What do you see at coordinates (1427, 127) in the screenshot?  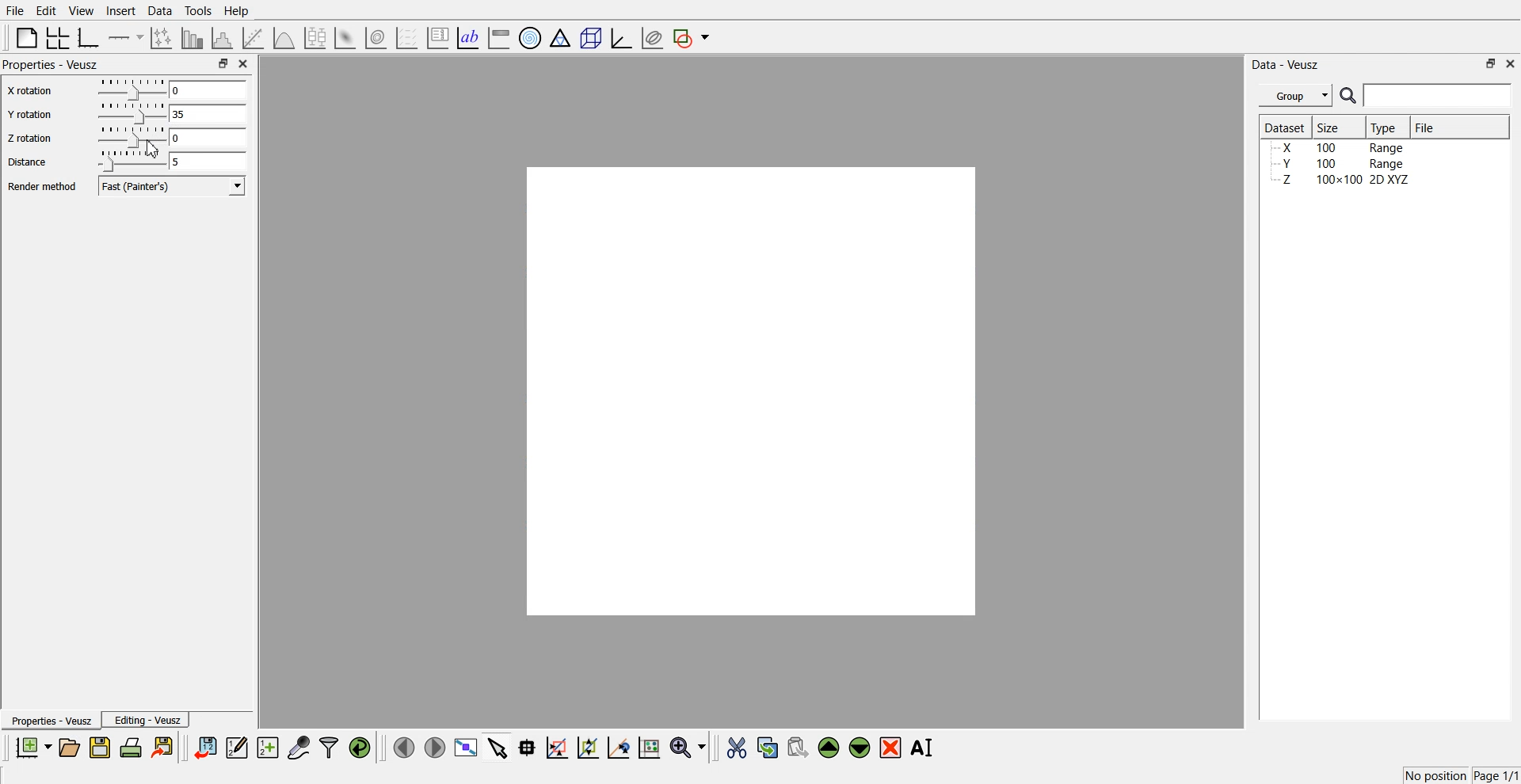 I see `File` at bounding box center [1427, 127].